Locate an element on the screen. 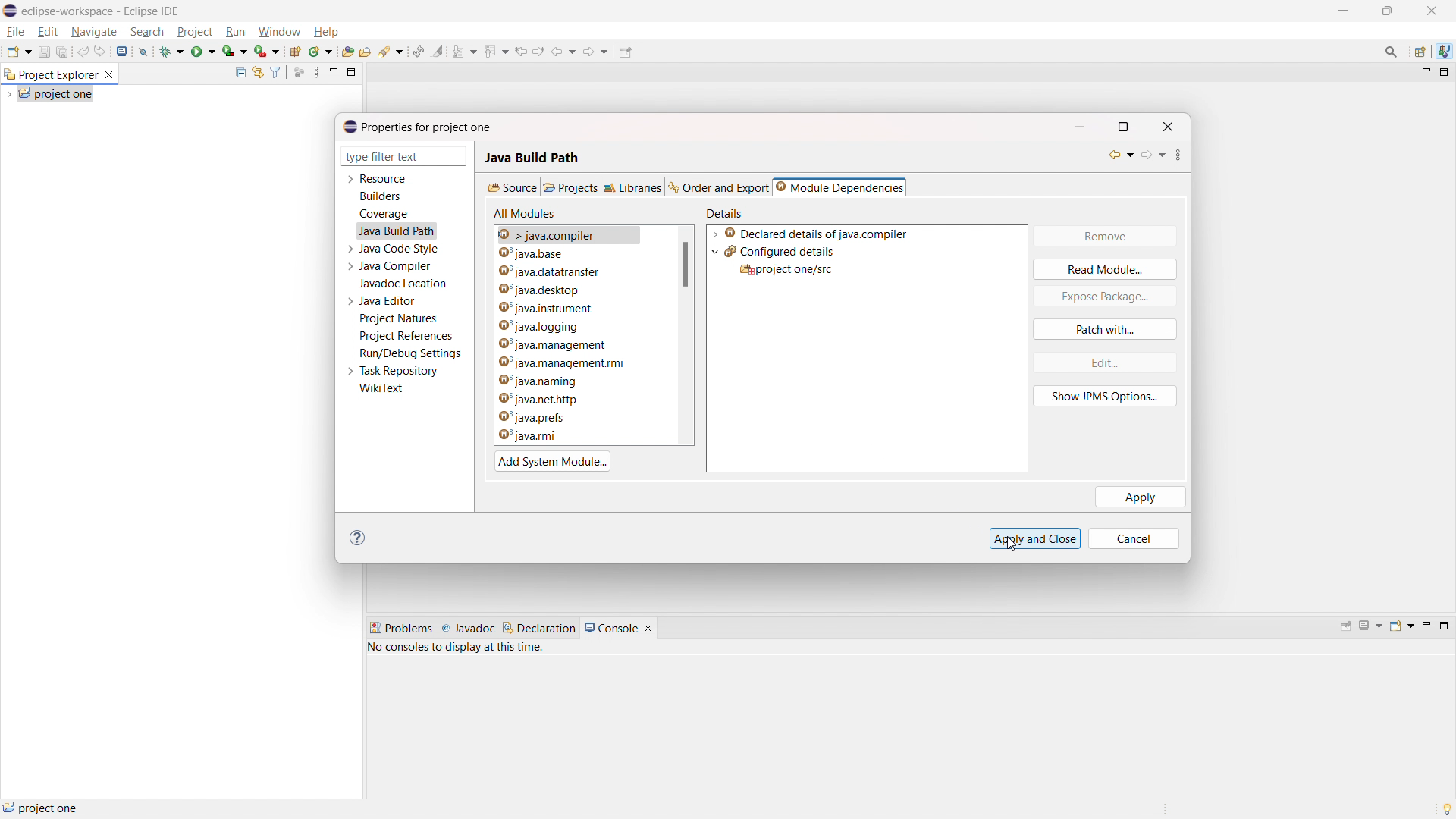 The width and height of the screenshot is (1456, 819). back is located at coordinates (563, 50).